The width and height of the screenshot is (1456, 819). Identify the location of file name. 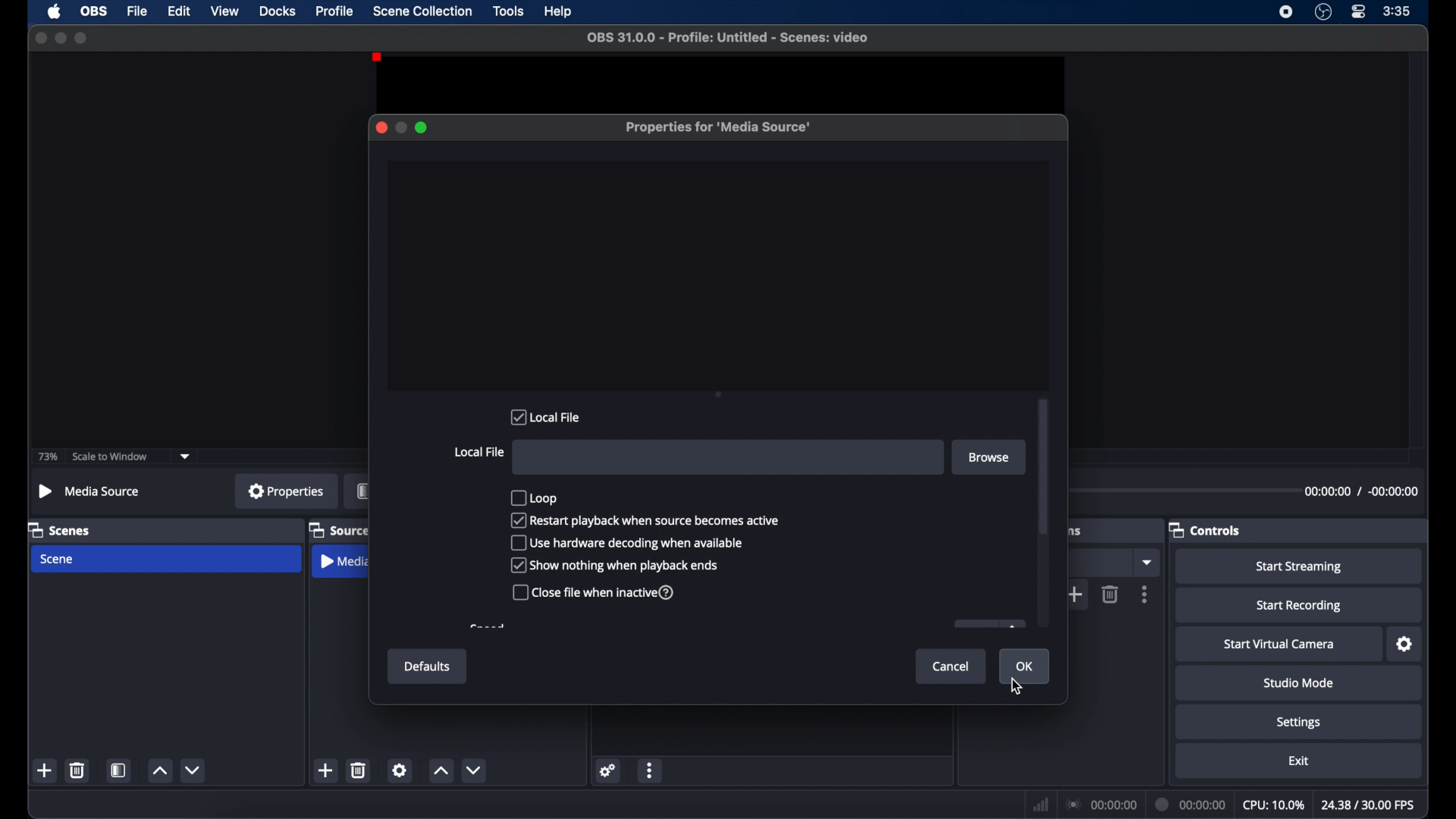
(728, 38).